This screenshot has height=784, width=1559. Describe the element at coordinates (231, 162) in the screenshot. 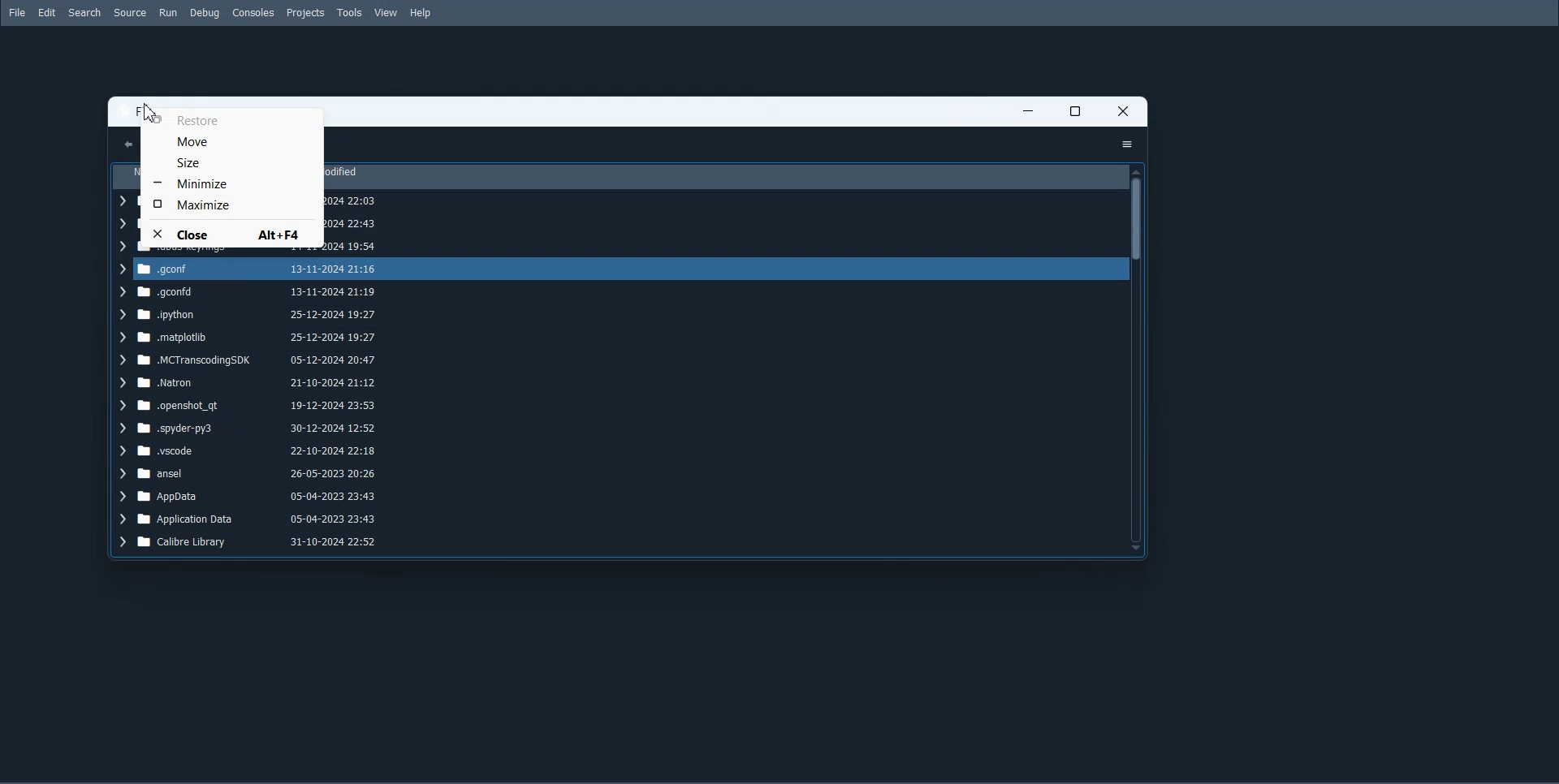

I see `Size` at that location.